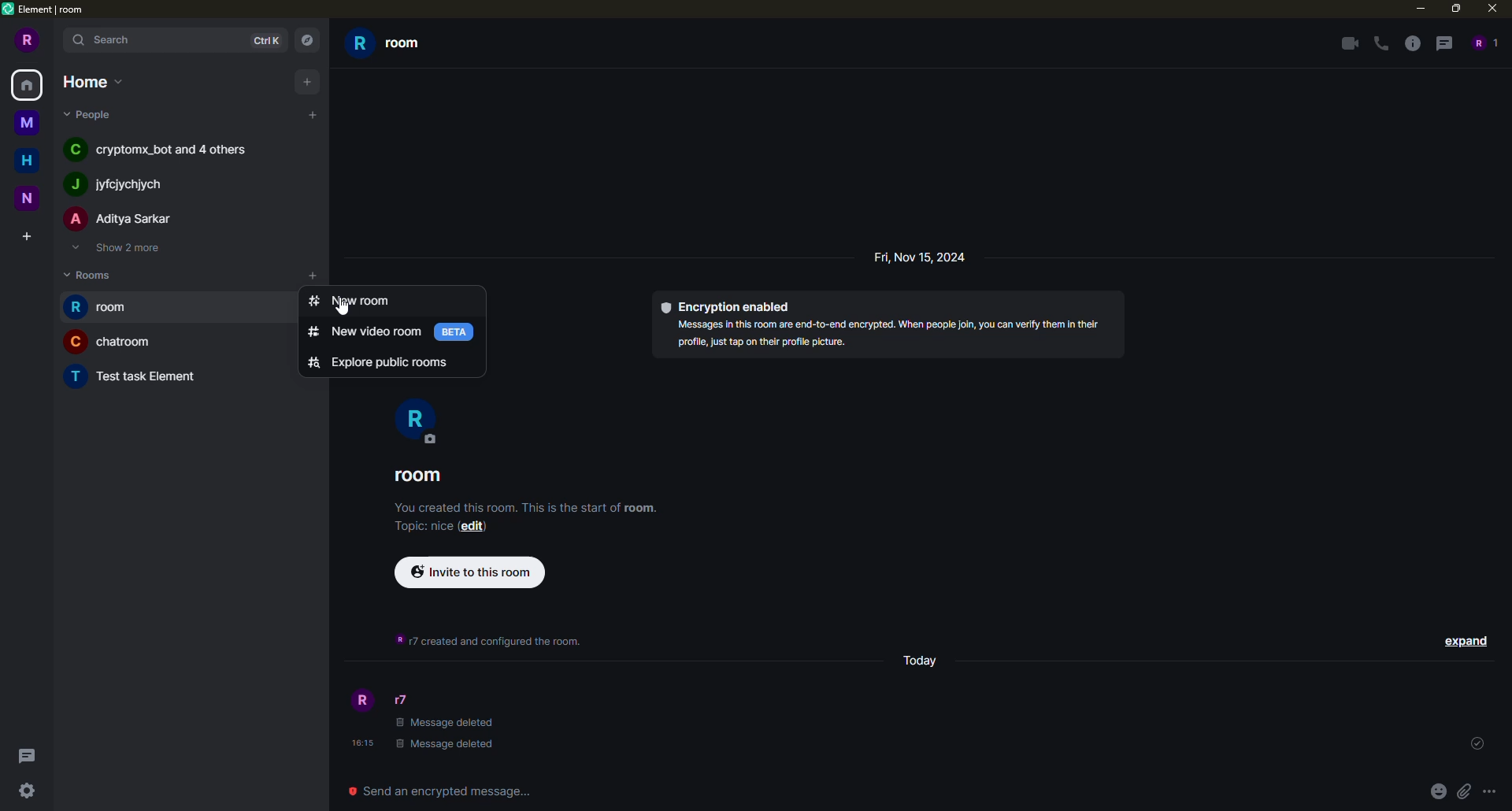 This screenshot has height=811, width=1512. I want to click on info, so click(528, 505).